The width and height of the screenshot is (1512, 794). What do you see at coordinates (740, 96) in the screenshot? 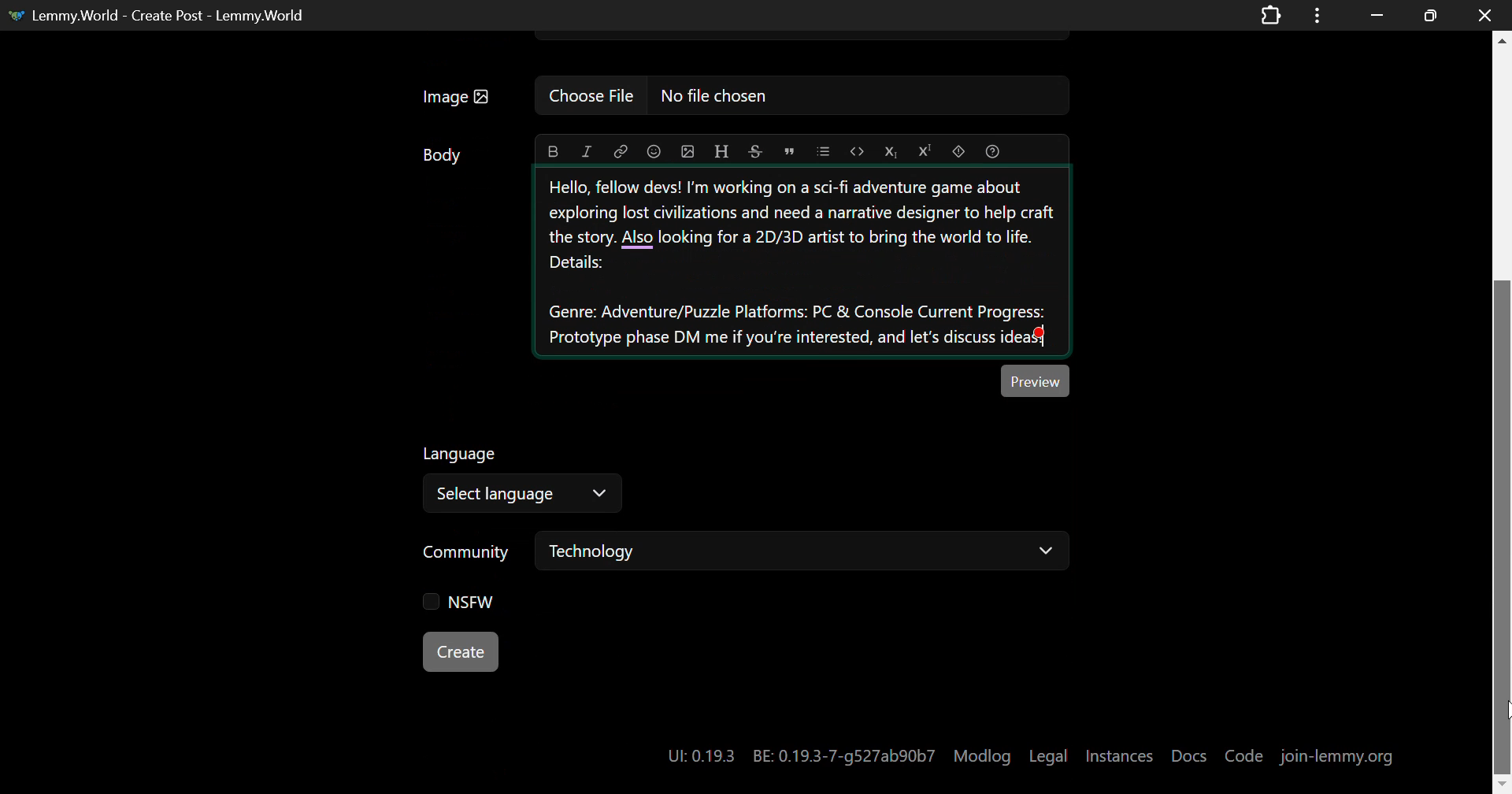
I see `Image: No file chosen` at bounding box center [740, 96].